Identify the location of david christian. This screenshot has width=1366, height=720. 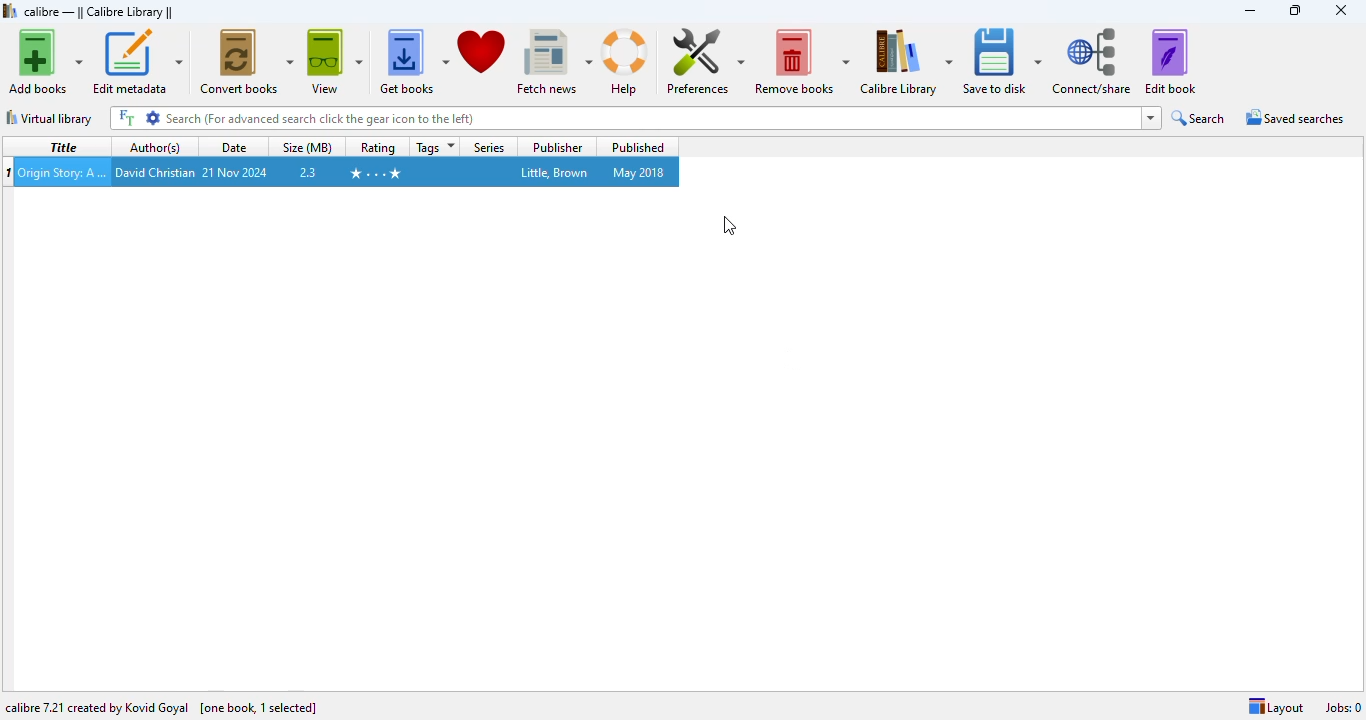
(155, 171).